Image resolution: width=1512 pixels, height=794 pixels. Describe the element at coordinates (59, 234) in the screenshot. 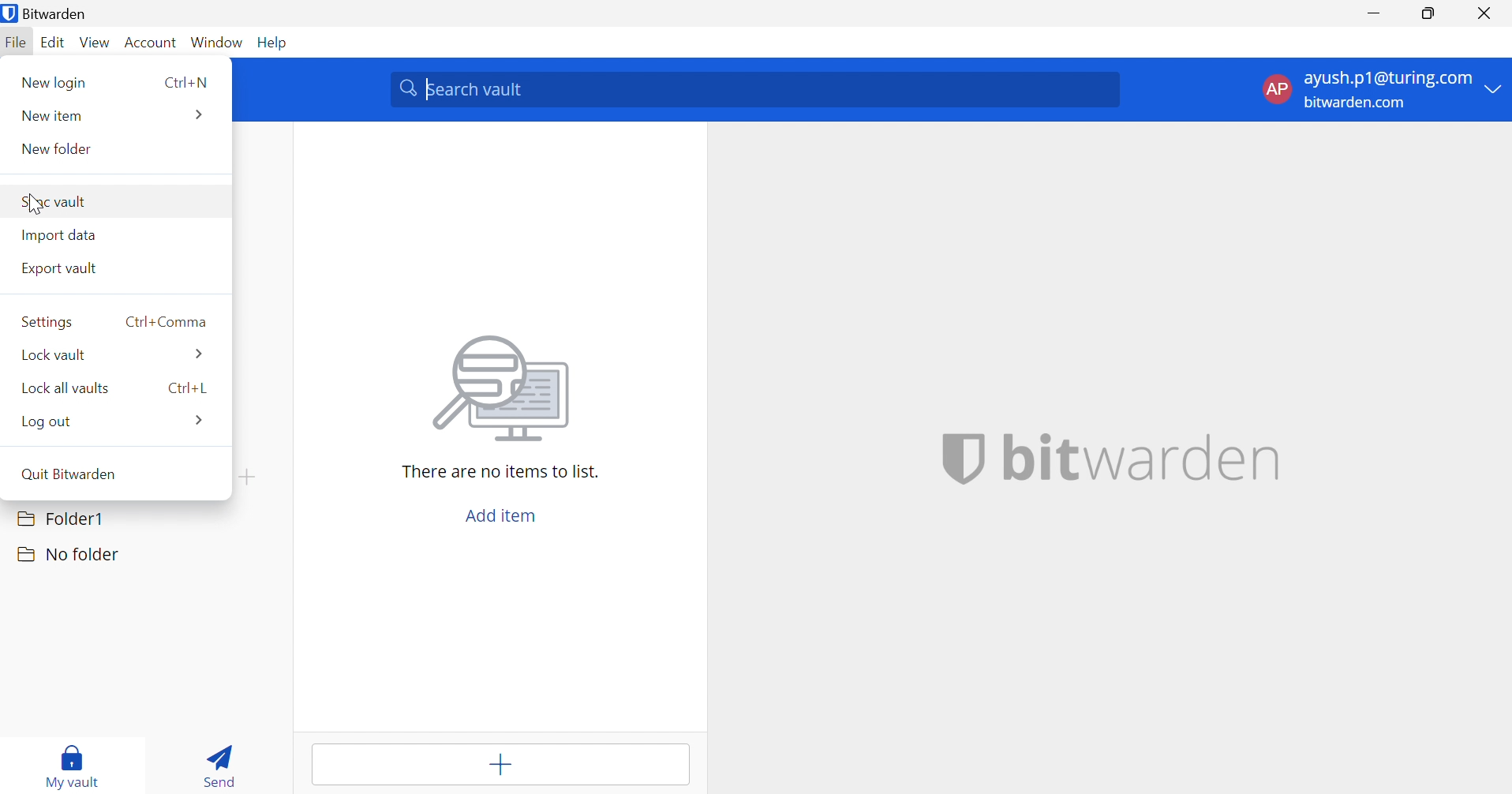

I see `Import data` at that location.